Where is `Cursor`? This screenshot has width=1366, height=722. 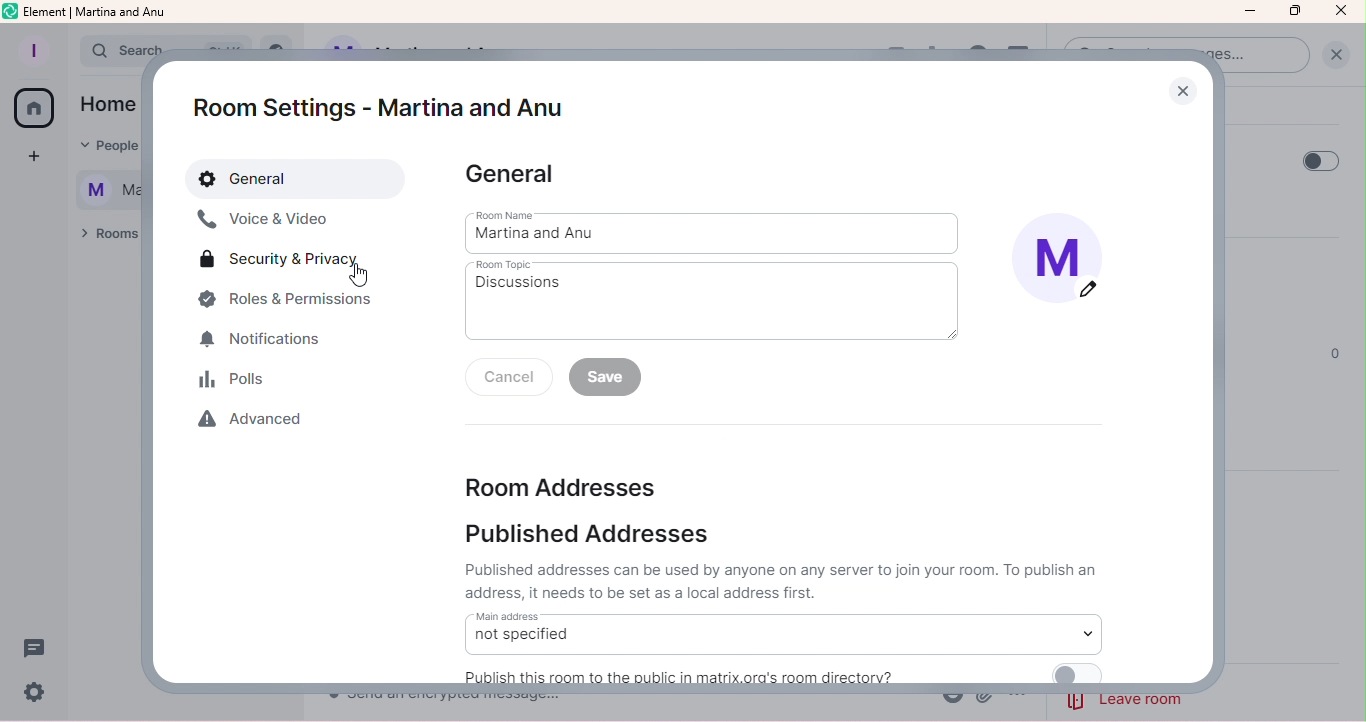
Cursor is located at coordinates (359, 278).